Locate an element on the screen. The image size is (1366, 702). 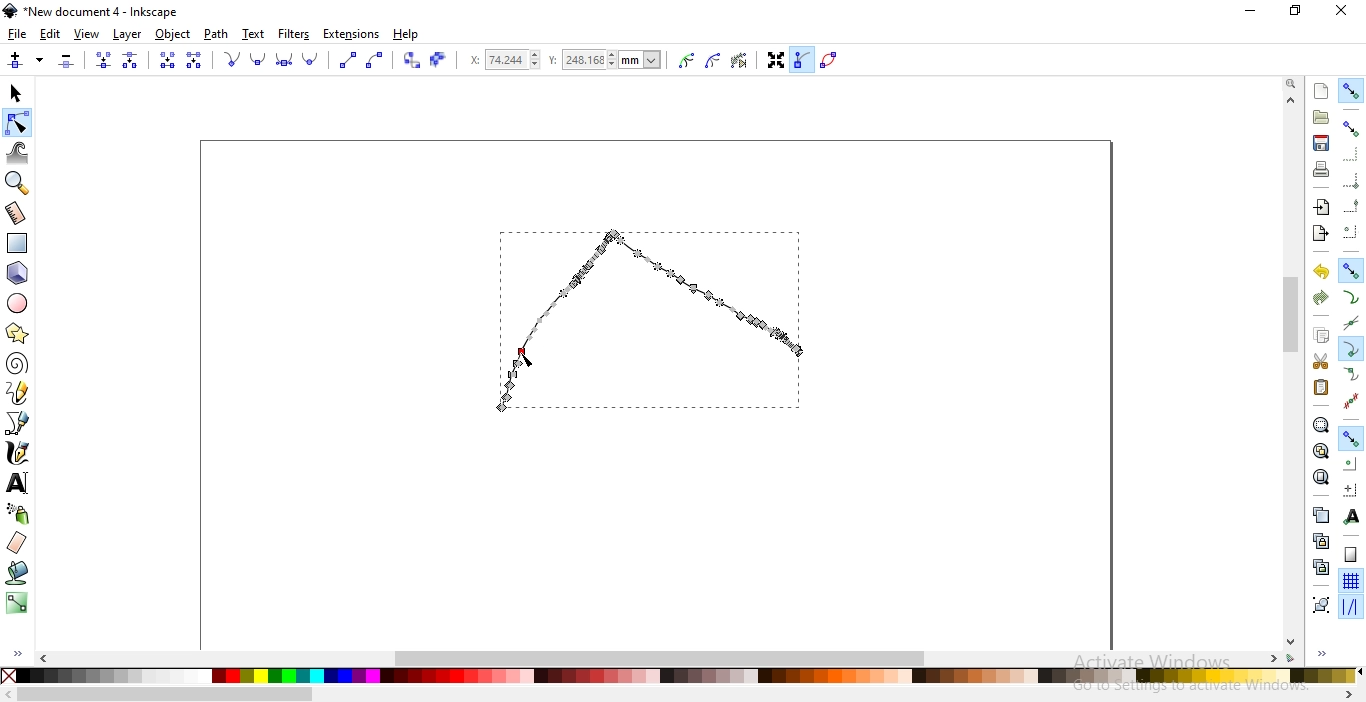
snapping centers of bounding boxes is located at coordinates (1351, 231).